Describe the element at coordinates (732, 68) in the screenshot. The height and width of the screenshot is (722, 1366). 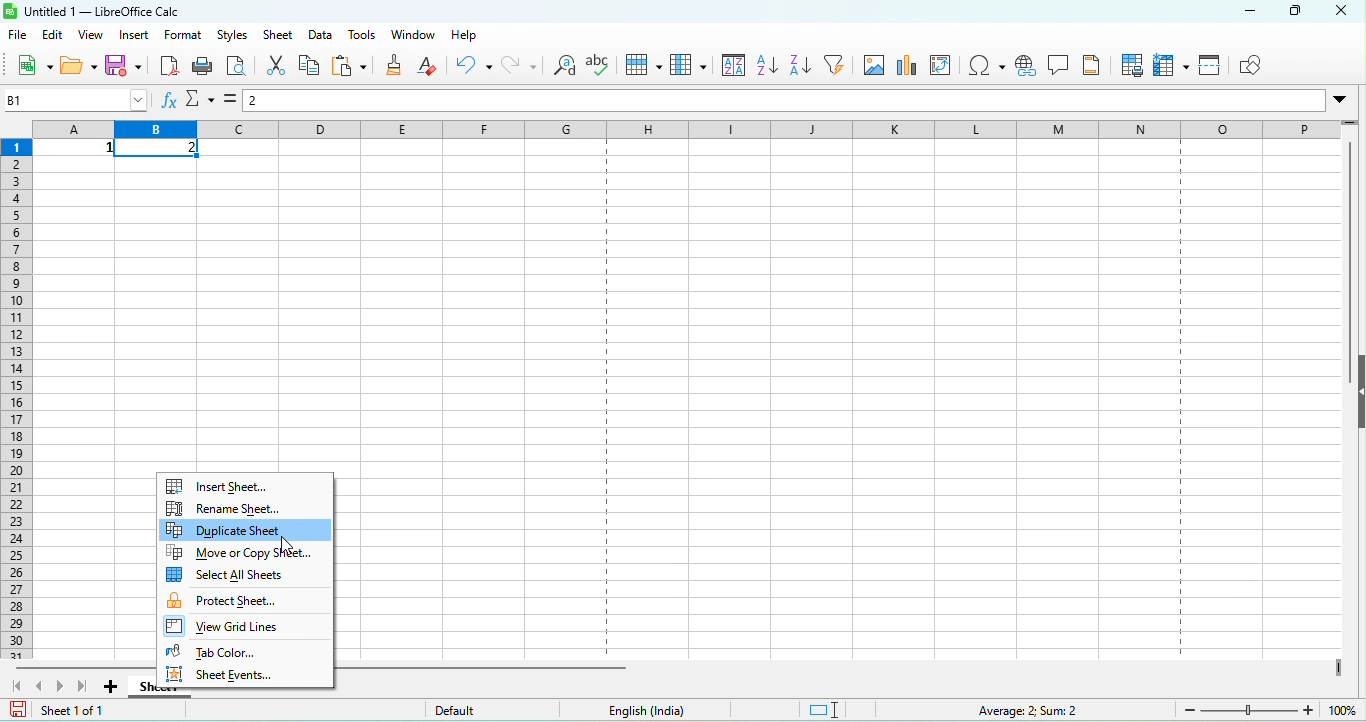
I see `sort` at that location.